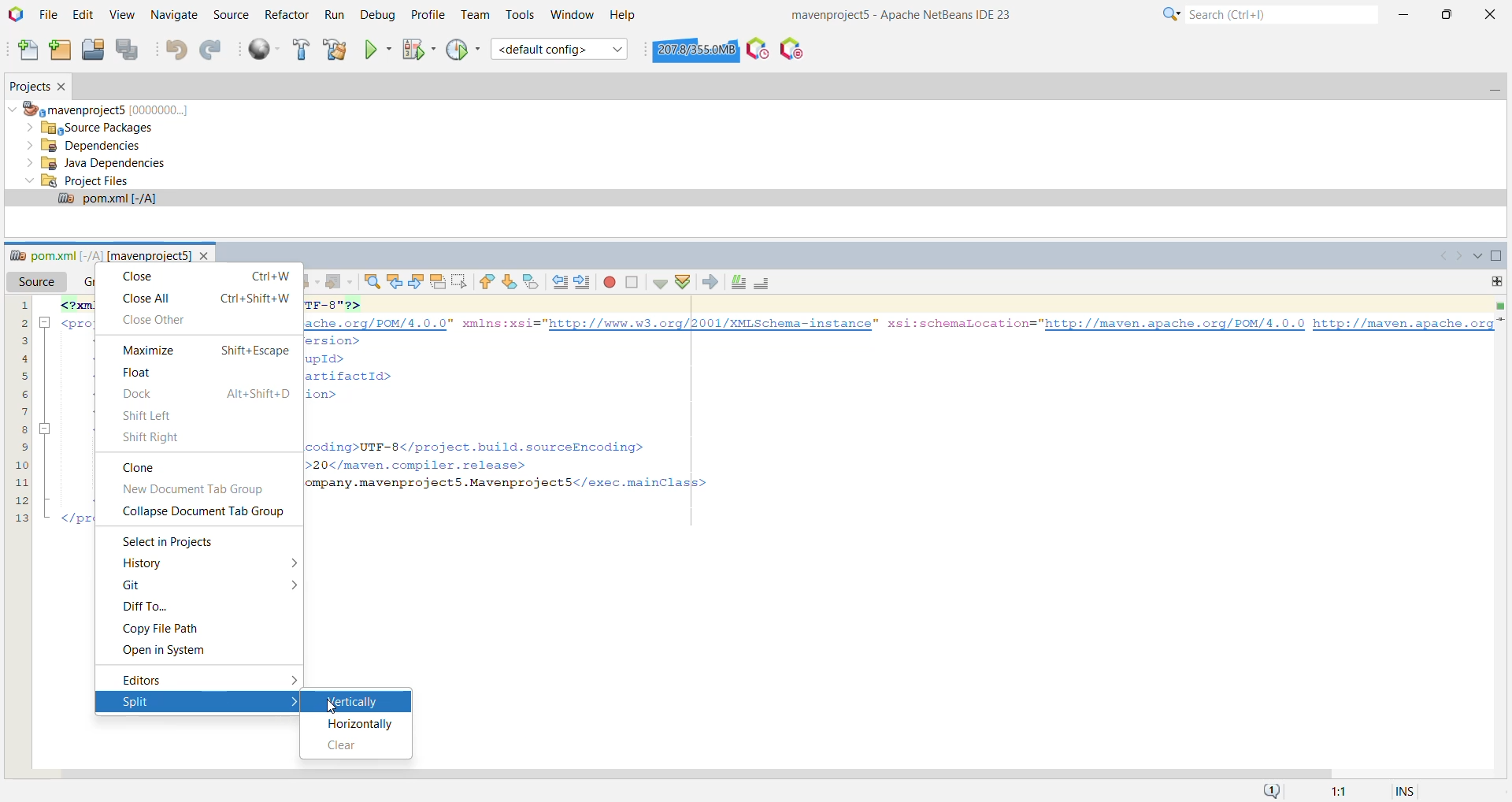  Describe the element at coordinates (1498, 257) in the screenshot. I see `Maximize Window` at that location.